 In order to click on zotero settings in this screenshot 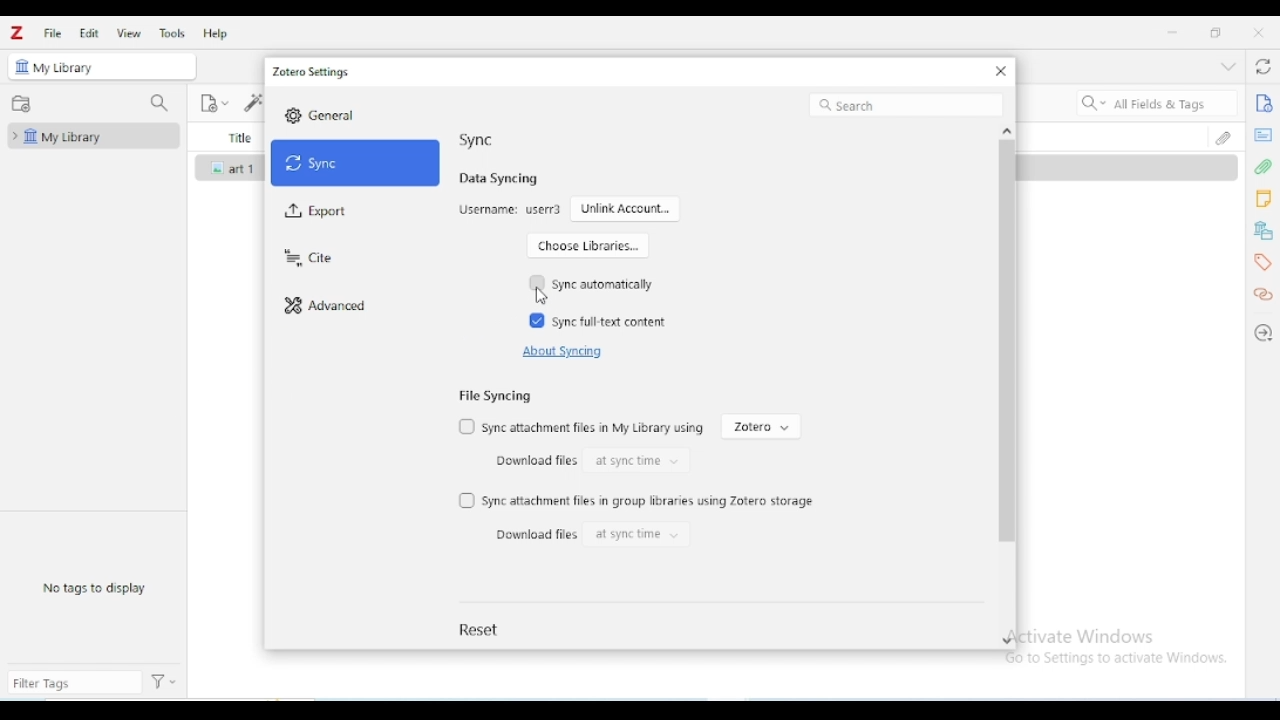, I will do `click(312, 72)`.